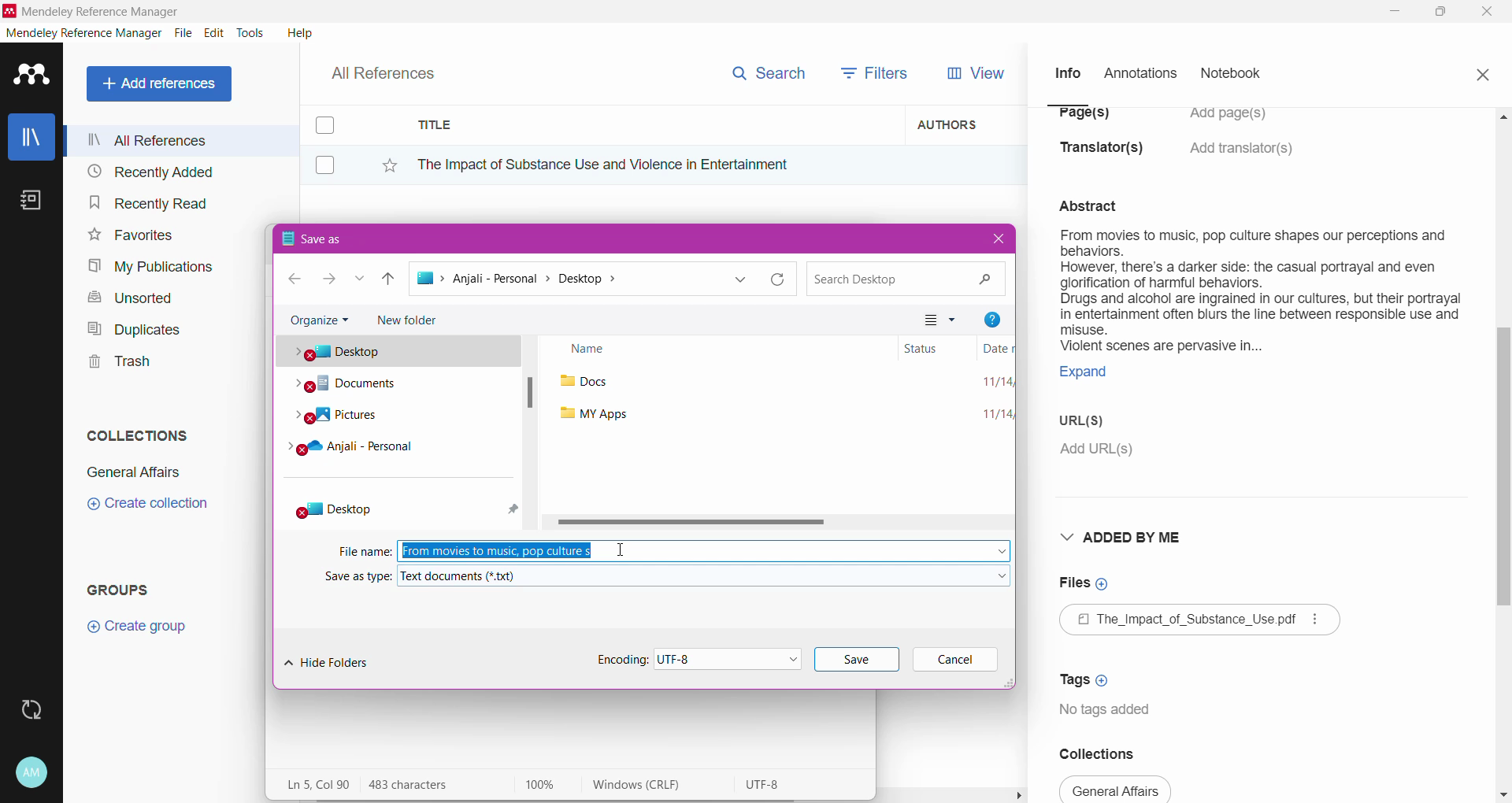  I want to click on Select the required file type, so click(705, 575).